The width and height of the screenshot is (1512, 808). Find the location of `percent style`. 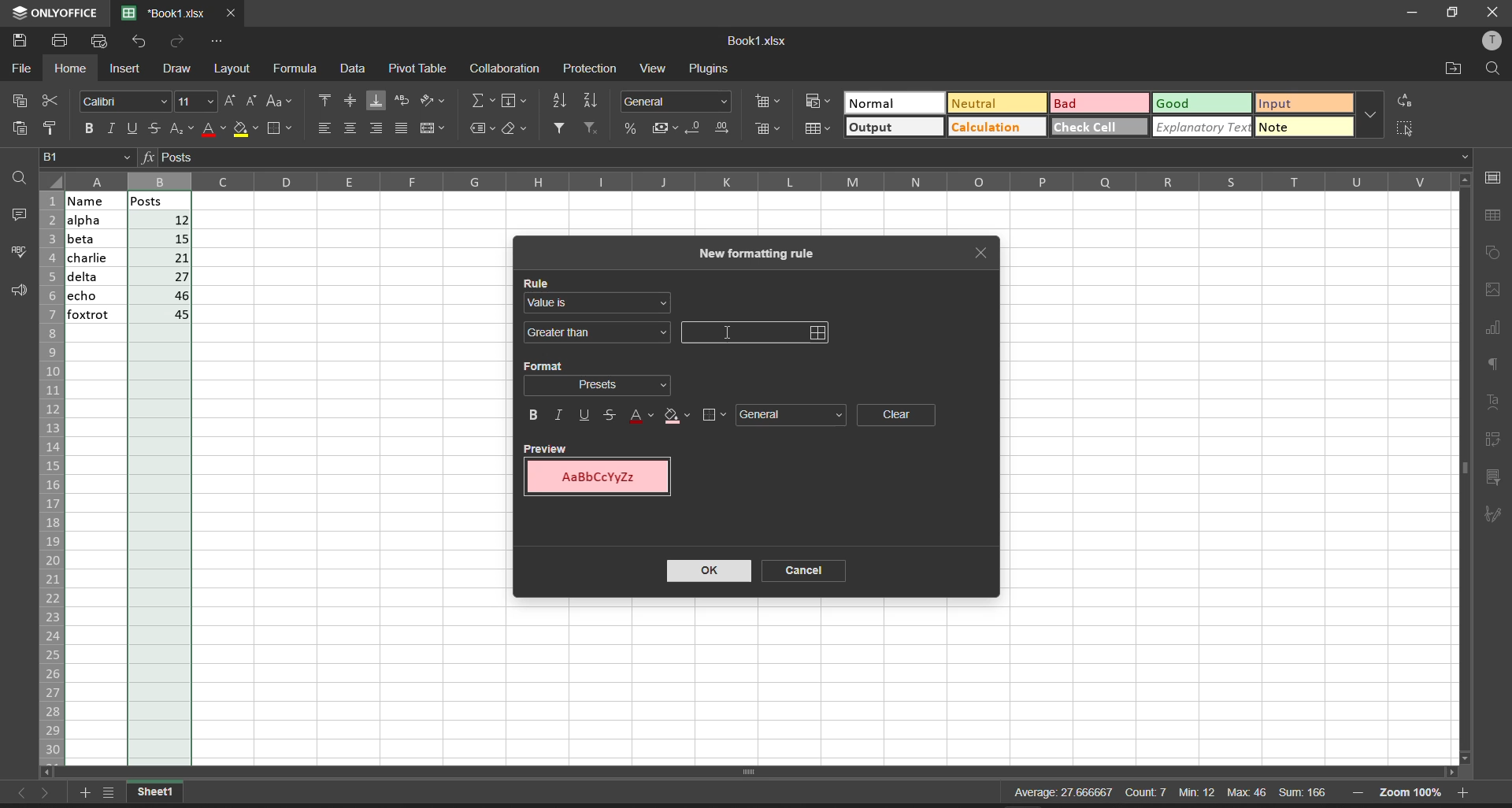

percent style is located at coordinates (630, 130).